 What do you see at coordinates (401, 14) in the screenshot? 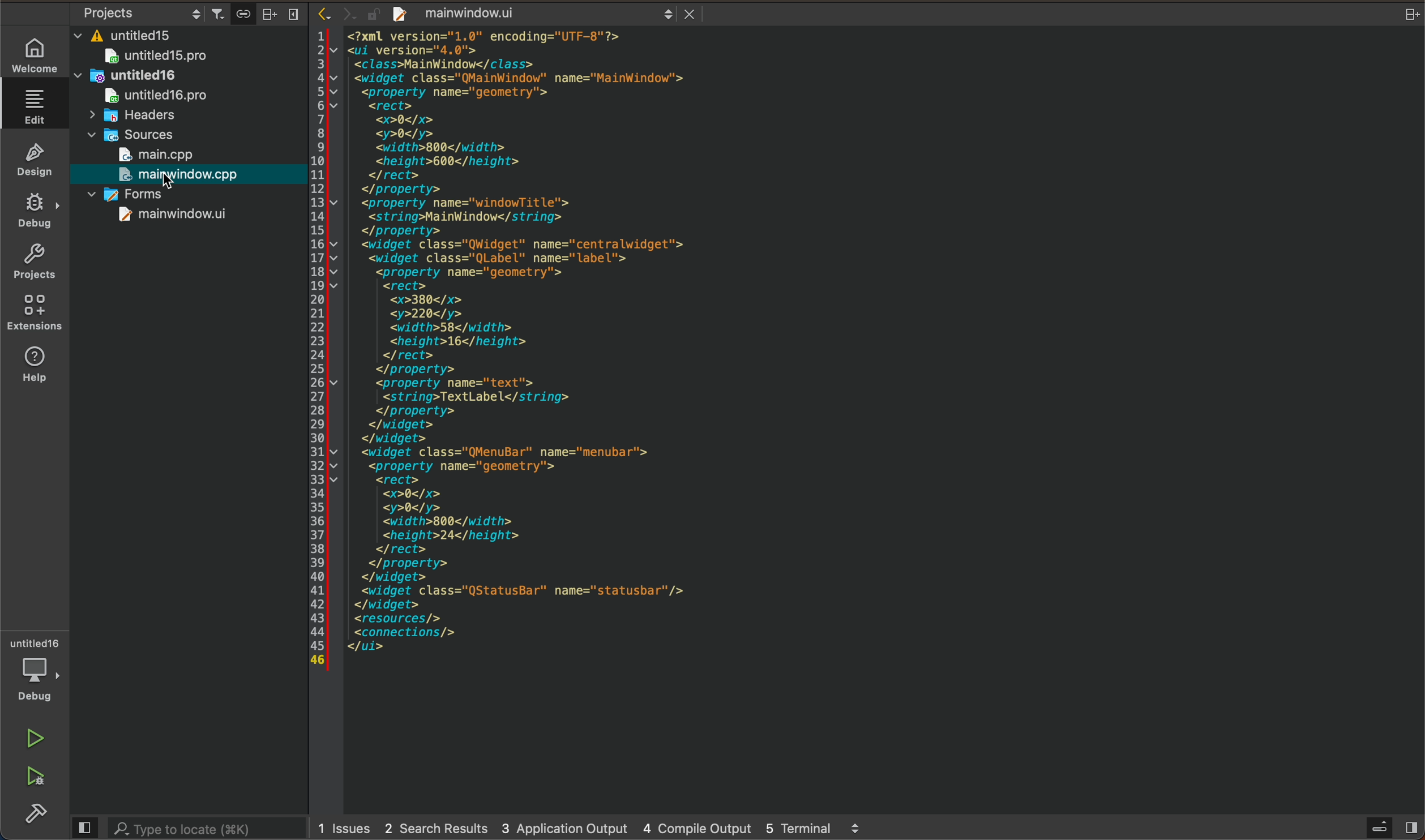
I see `create new project` at bounding box center [401, 14].